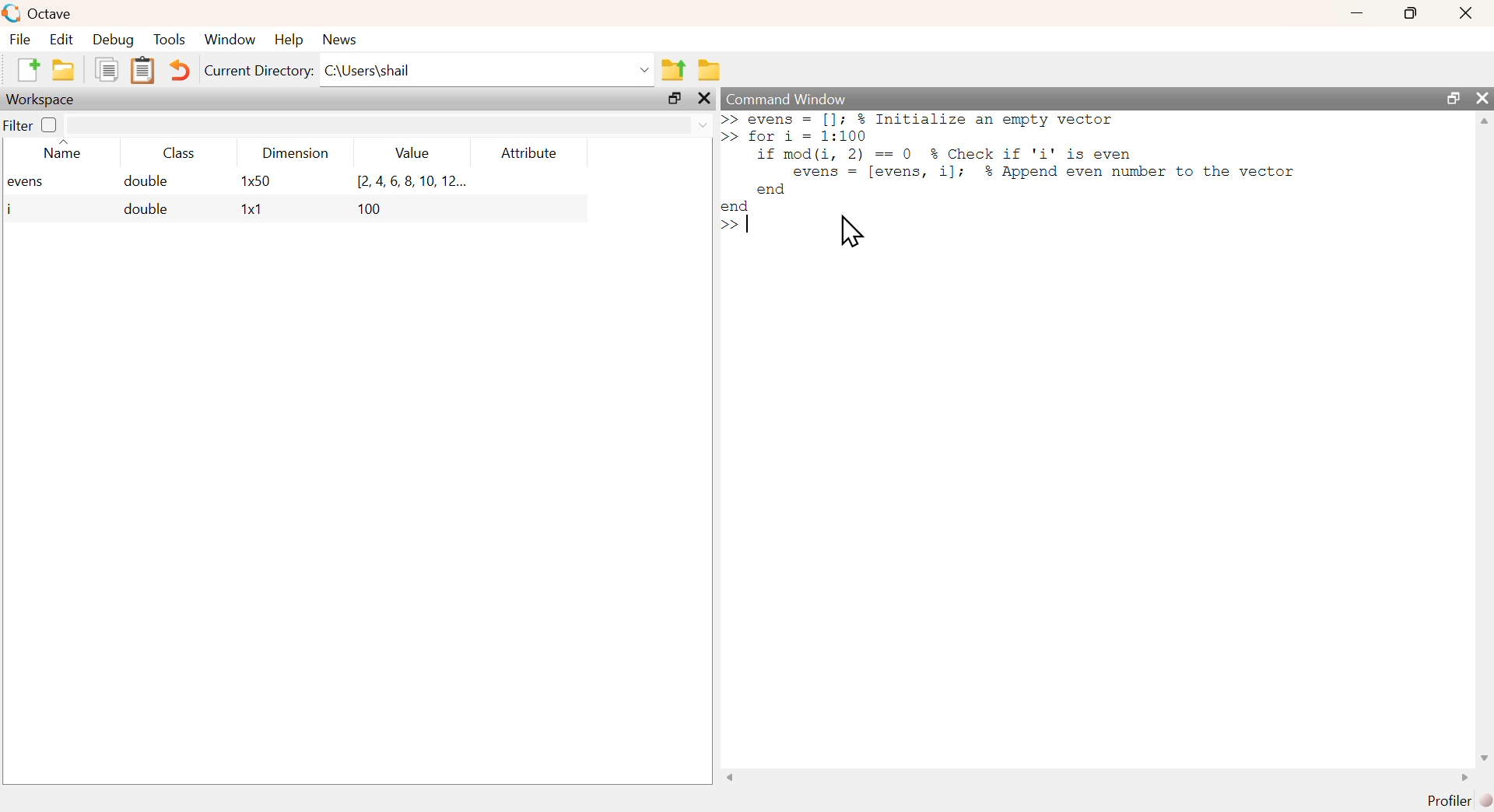  Describe the element at coordinates (1468, 12) in the screenshot. I see `close` at that location.